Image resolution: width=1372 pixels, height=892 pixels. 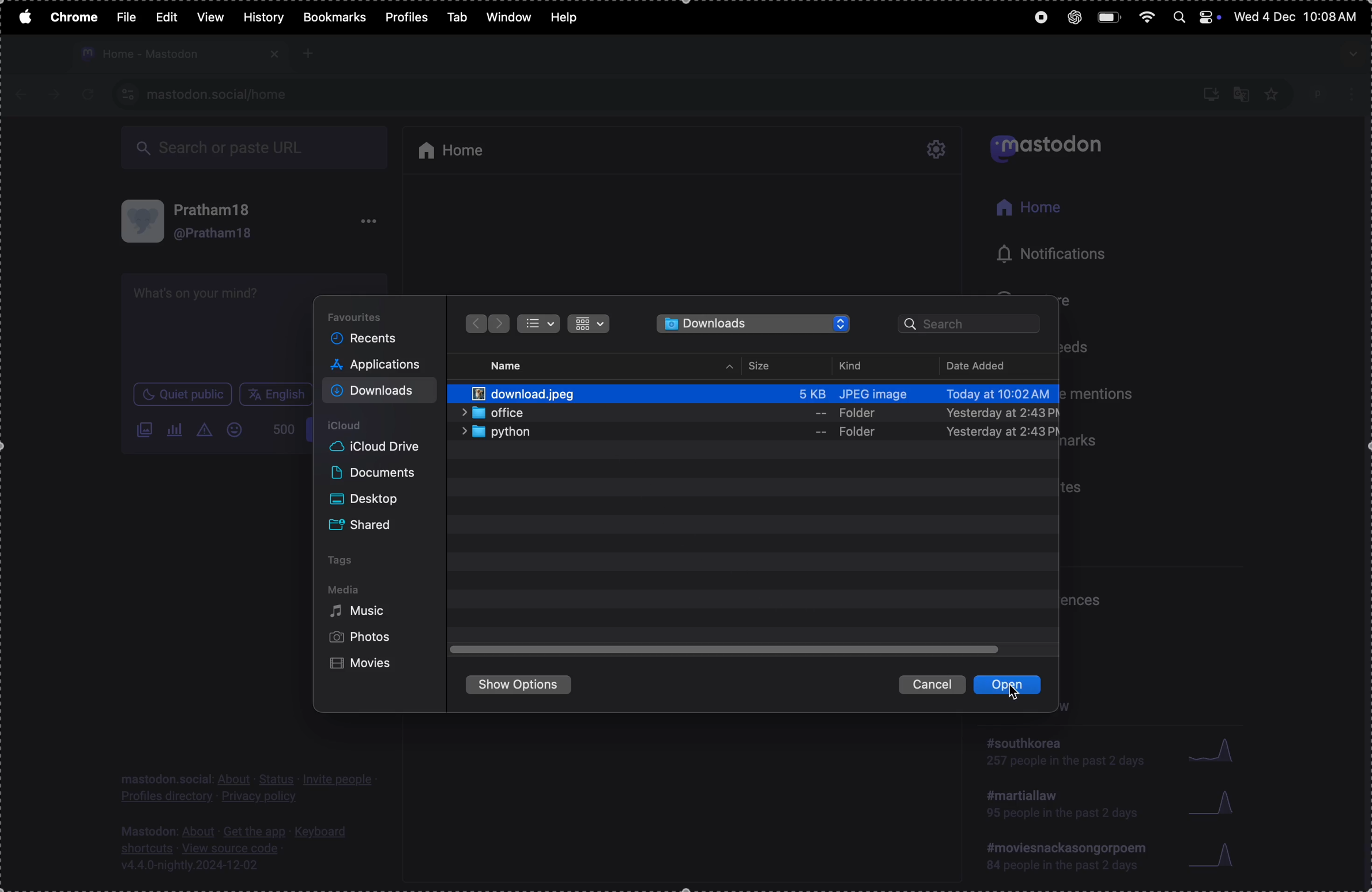 What do you see at coordinates (345, 589) in the screenshot?
I see `media` at bounding box center [345, 589].